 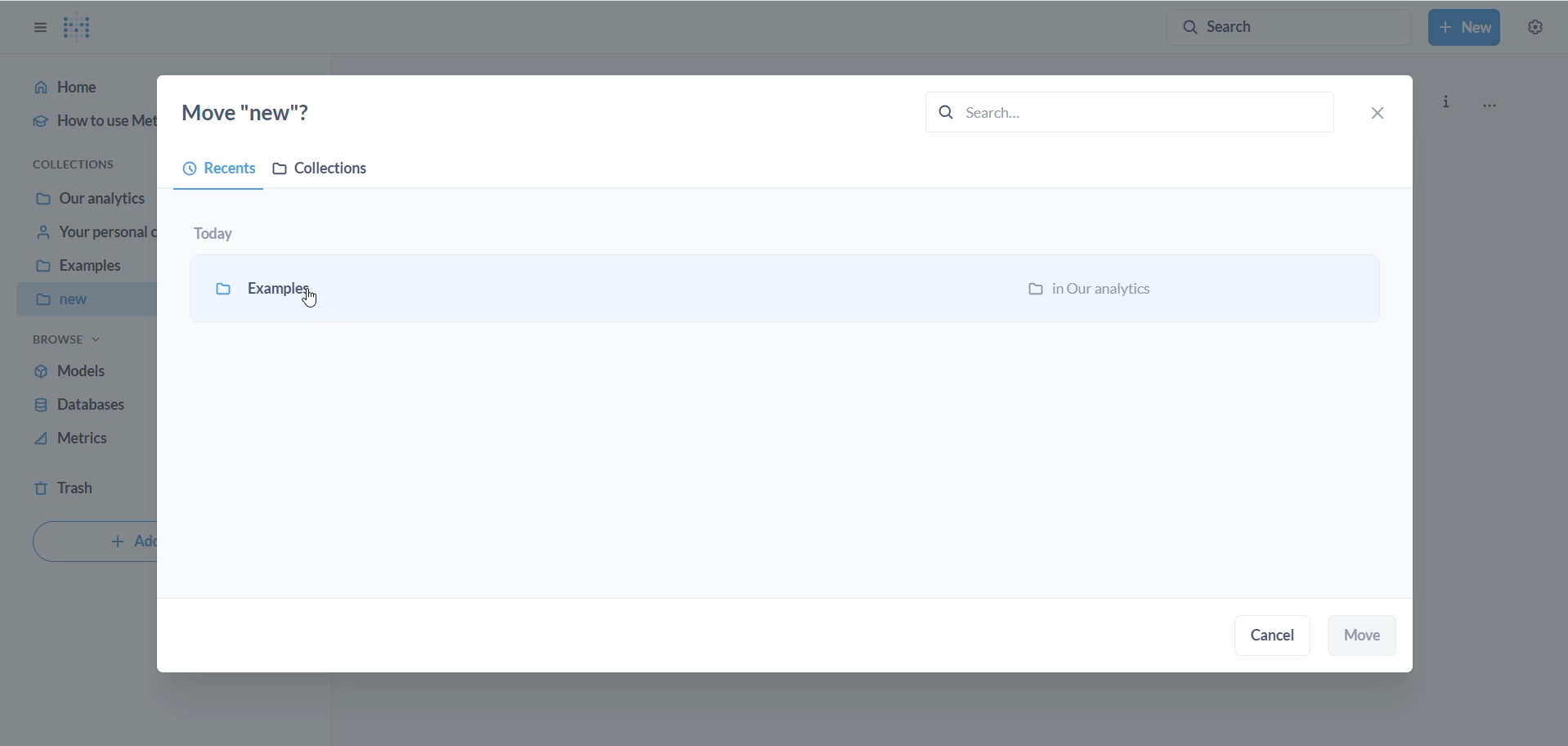 What do you see at coordinates (226, 230) in the screenshot?
I see `TODAY` at bounding box center [226, 230].